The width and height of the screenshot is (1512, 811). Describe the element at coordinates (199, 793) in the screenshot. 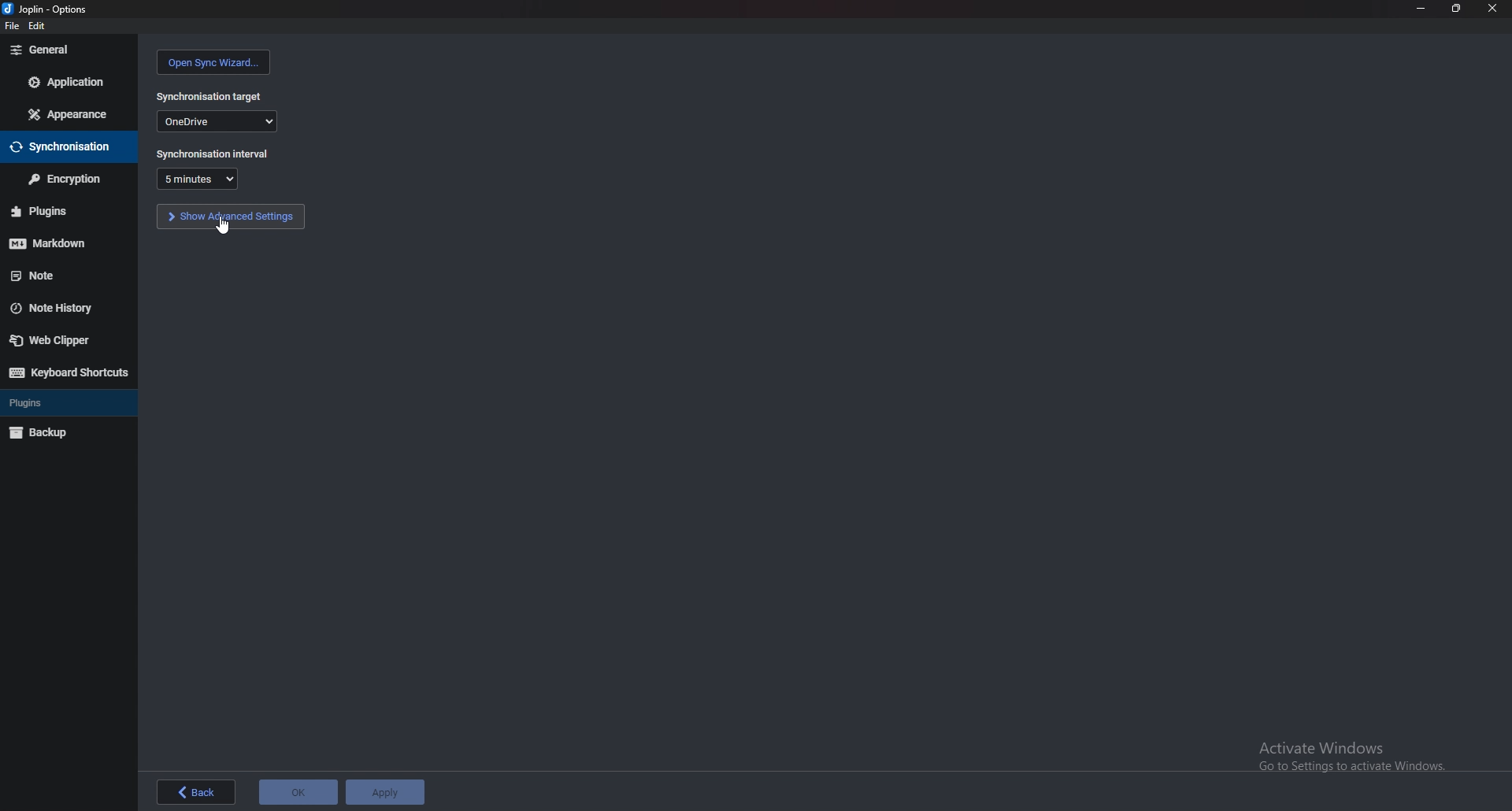

I see `back` at that location.